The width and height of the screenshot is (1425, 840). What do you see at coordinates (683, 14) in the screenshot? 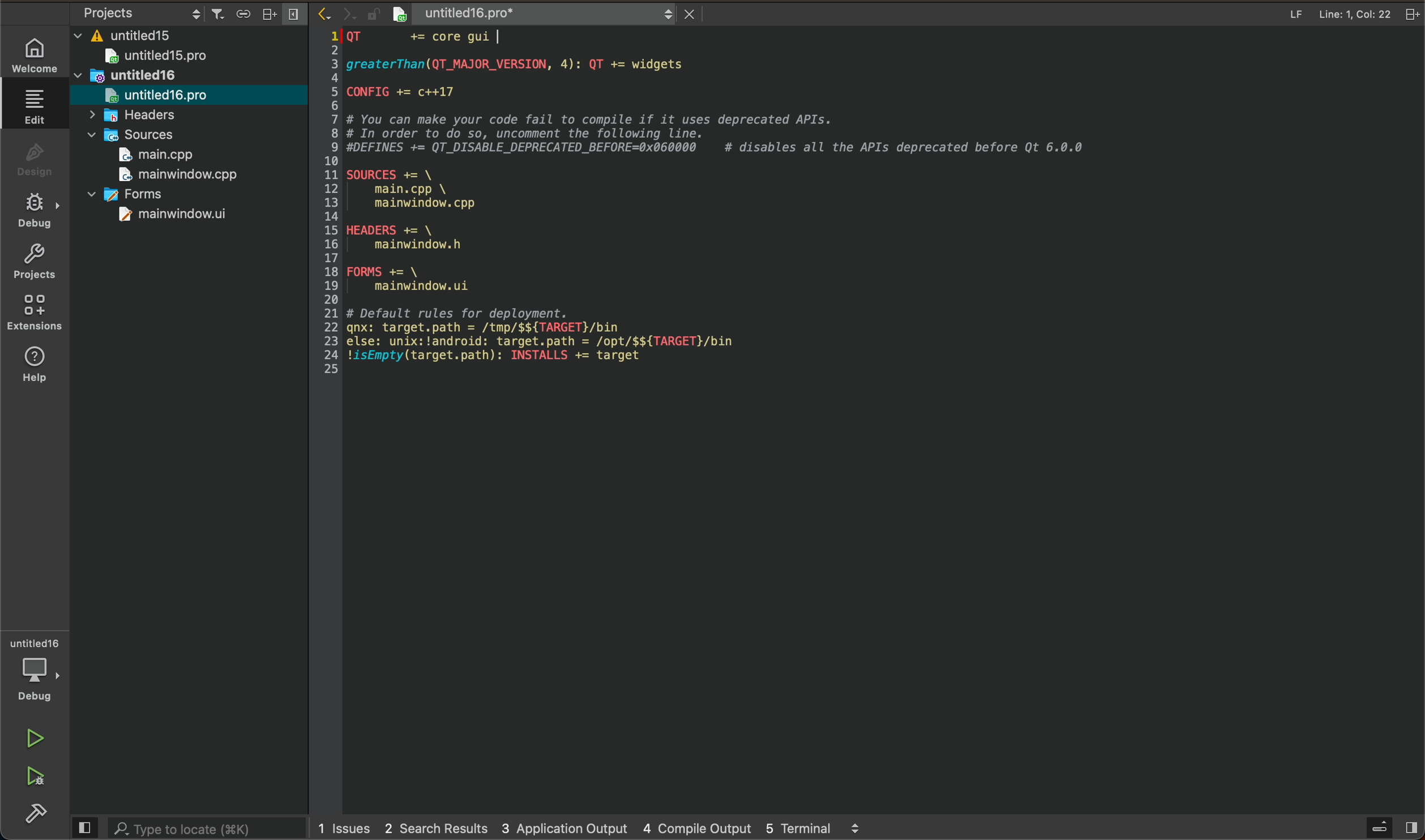
I see `close` at bounding box center [683, 14].